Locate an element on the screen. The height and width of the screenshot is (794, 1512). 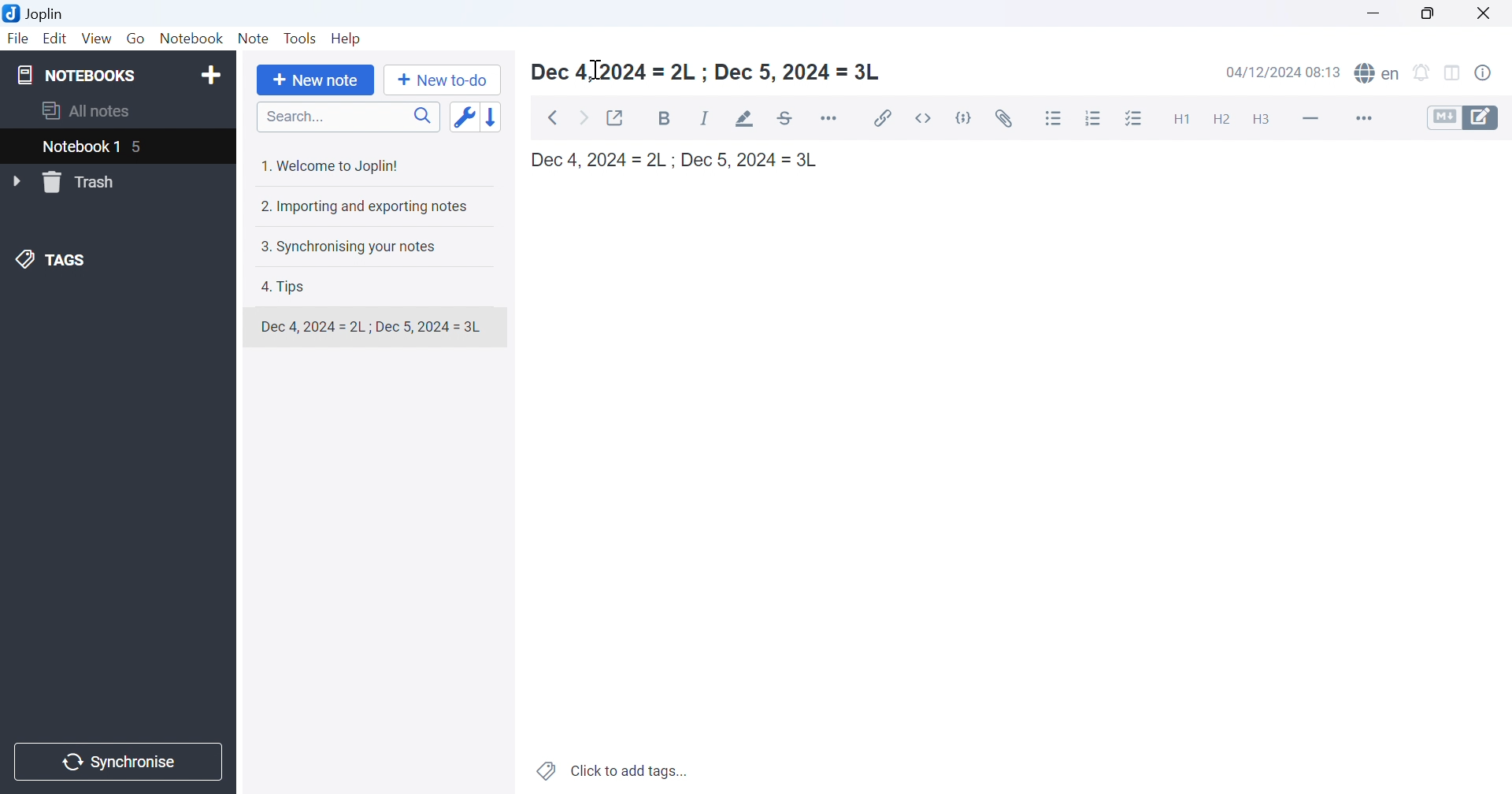
Tools is located at coordinates (302, 39).